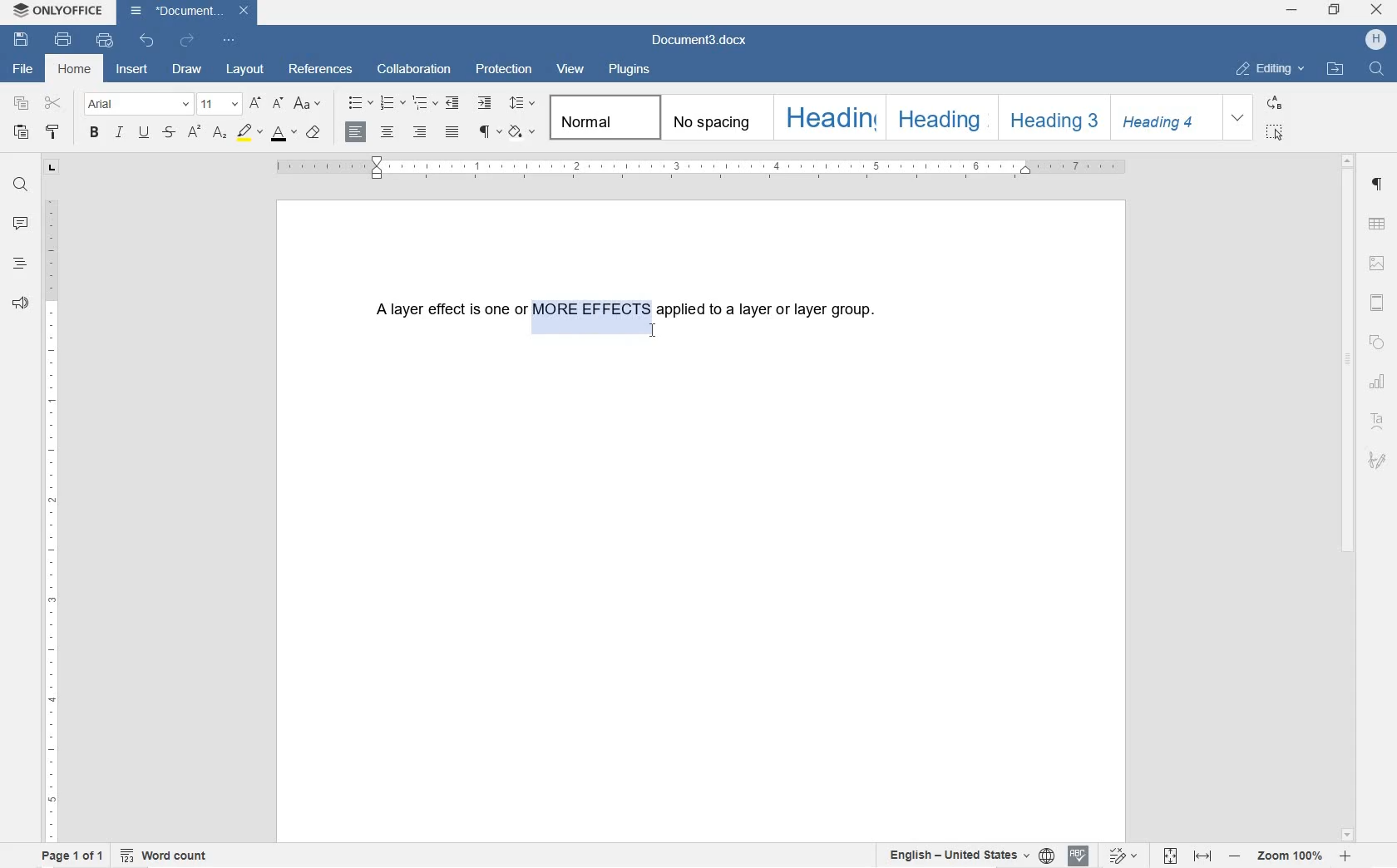  What do you see at coordinates (51, 518) in the screenshot?
I see `RULER` at bounding box center [51, 518].